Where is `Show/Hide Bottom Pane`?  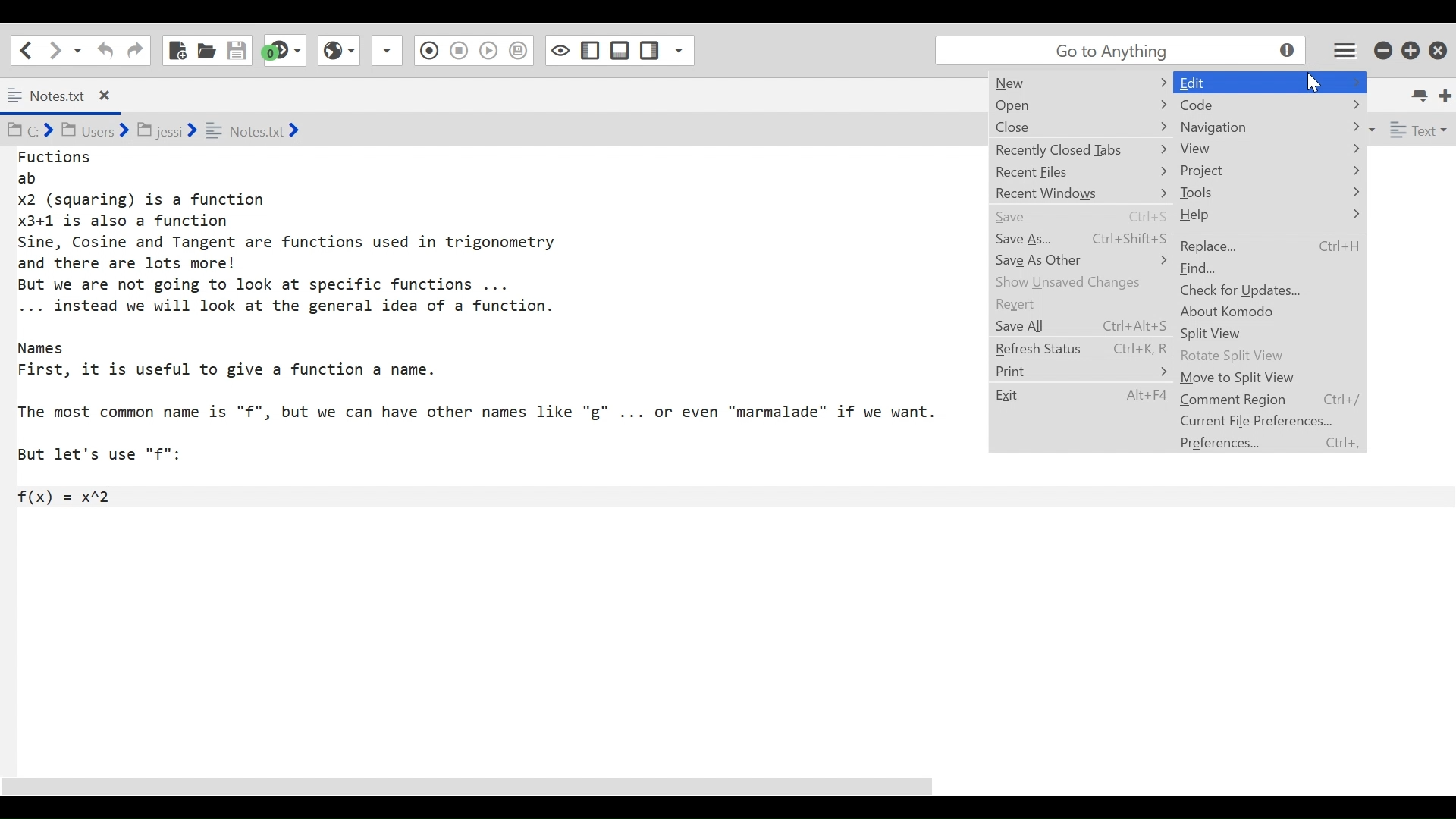
Show/Hide Bottom Pane is located at coordinates (591, 51).